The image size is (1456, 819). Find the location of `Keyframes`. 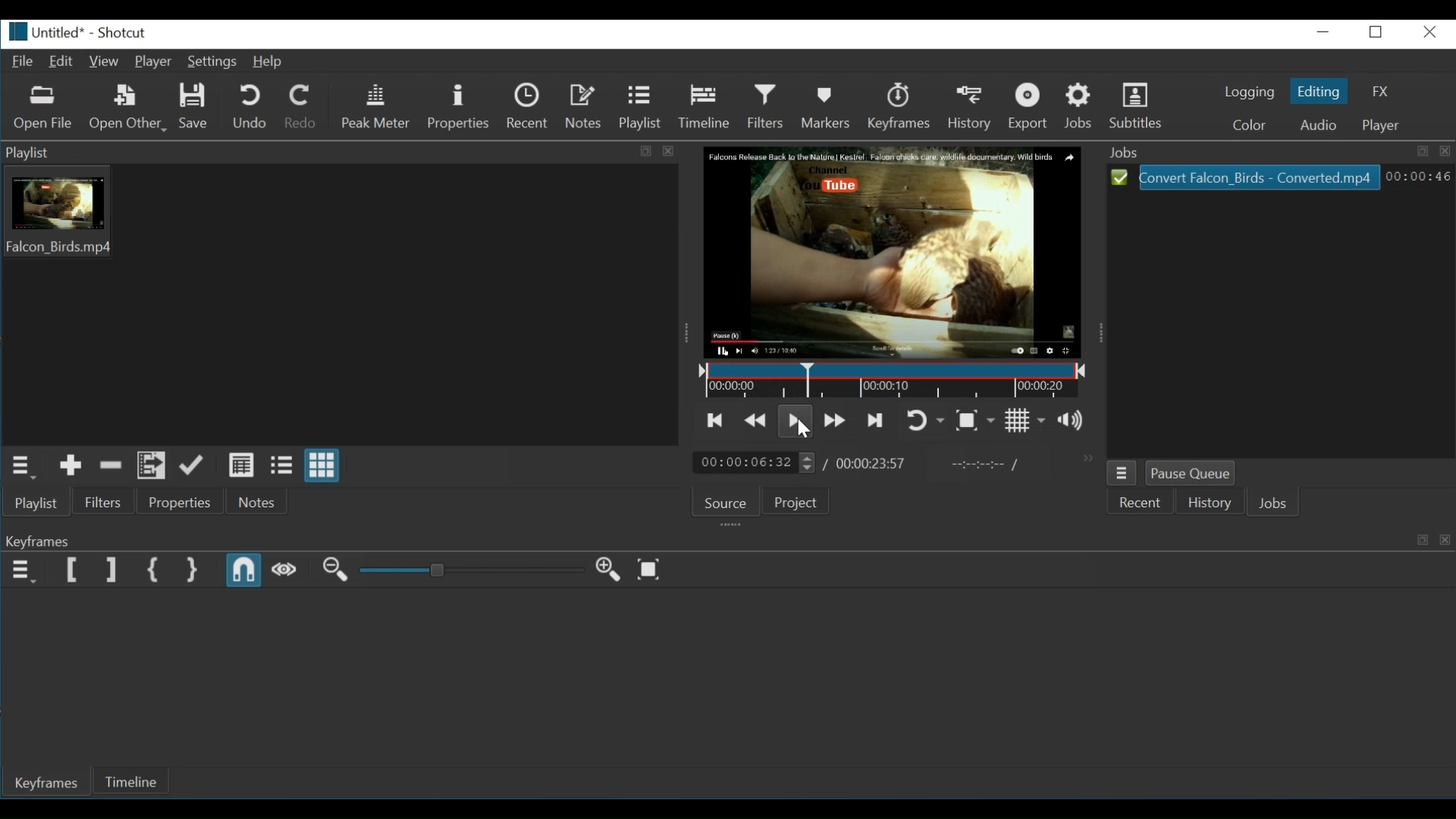

Keyframes is located at coordinates (898, 108).